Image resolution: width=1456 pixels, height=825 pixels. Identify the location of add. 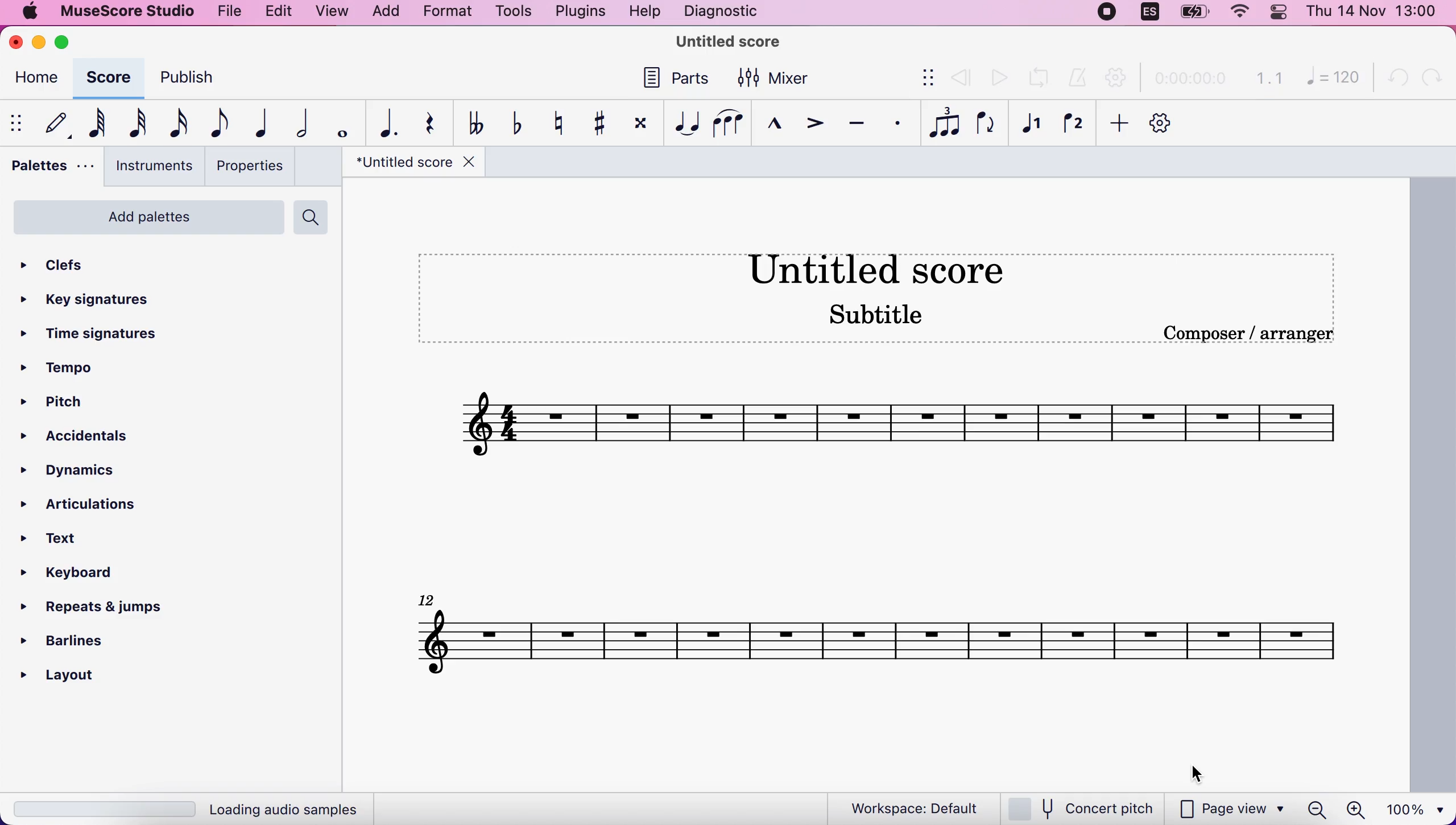
(384, 13).